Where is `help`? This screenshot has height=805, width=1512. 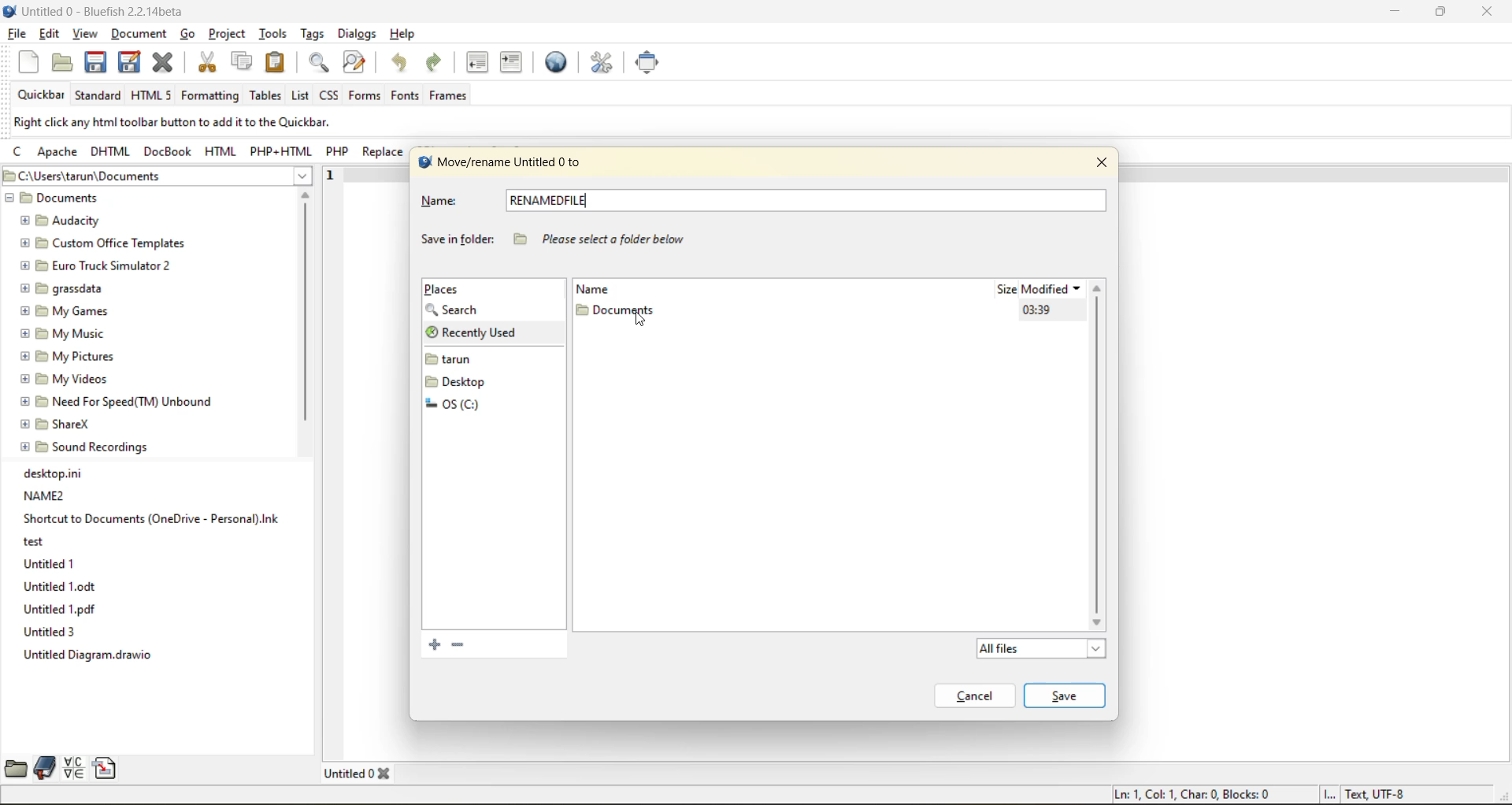
help is located at coordinates (406, 34).